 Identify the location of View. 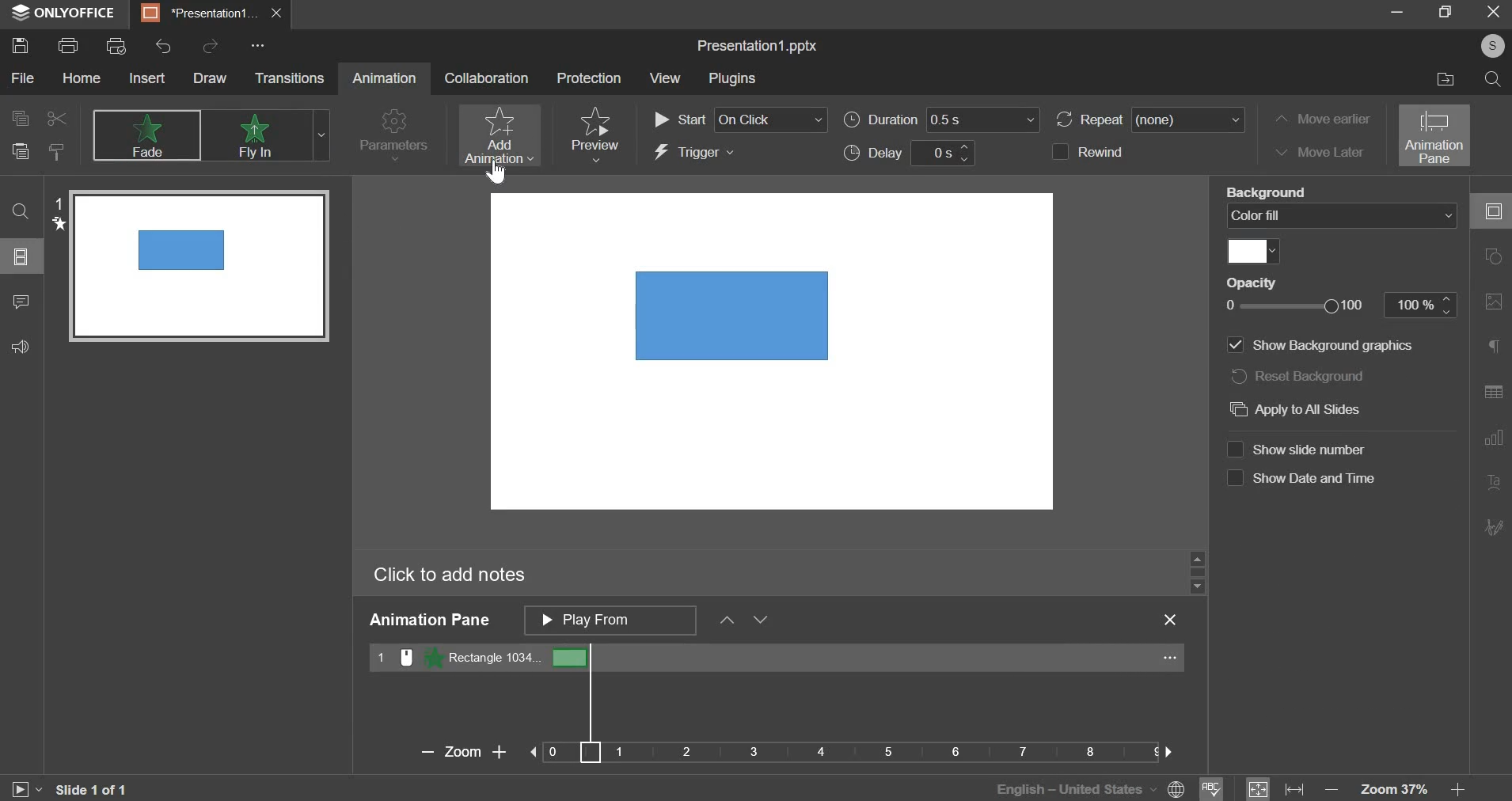
(668, 78).